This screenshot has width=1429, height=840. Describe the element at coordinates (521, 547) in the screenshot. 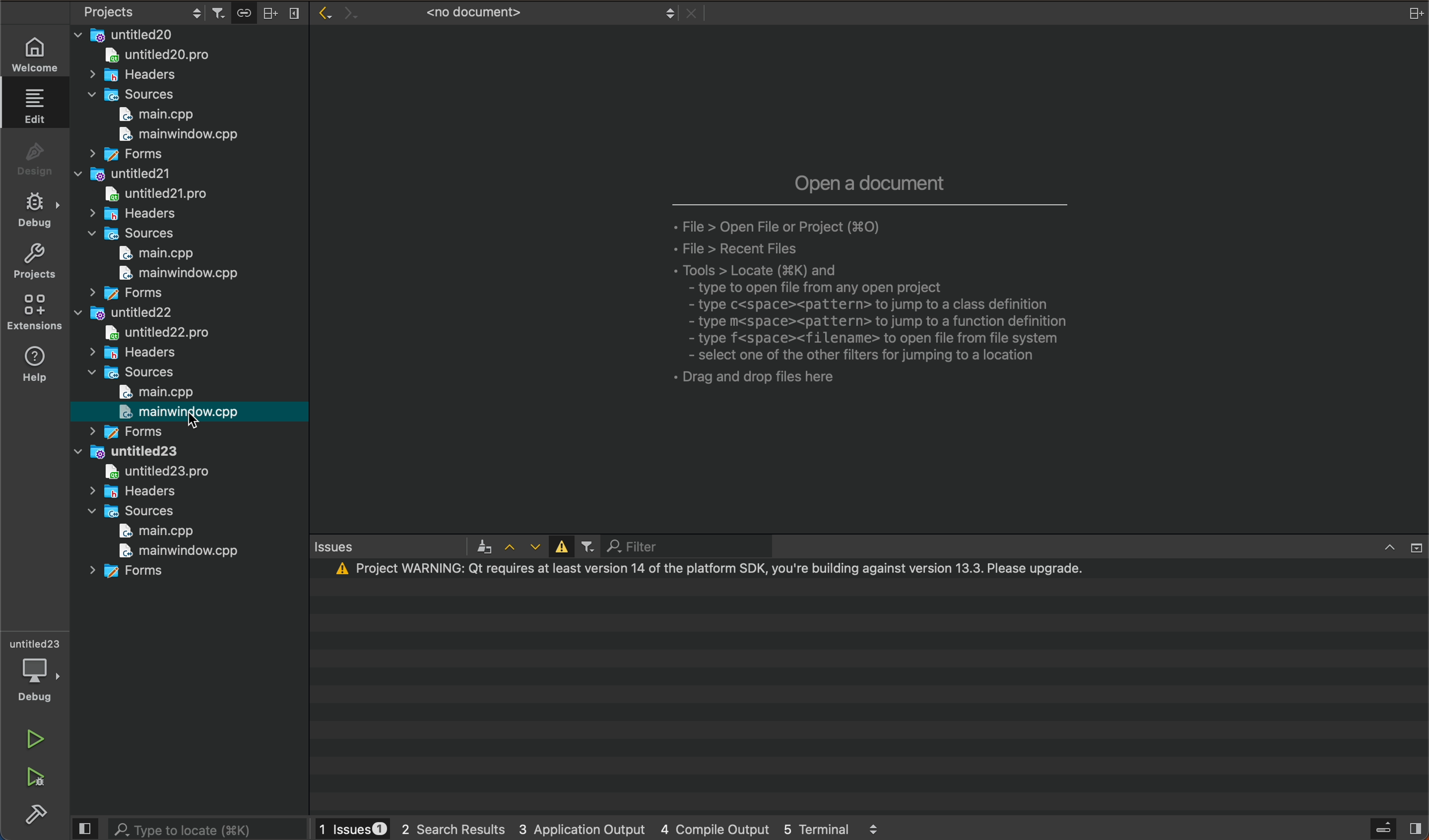

I see `arrows` at that location.